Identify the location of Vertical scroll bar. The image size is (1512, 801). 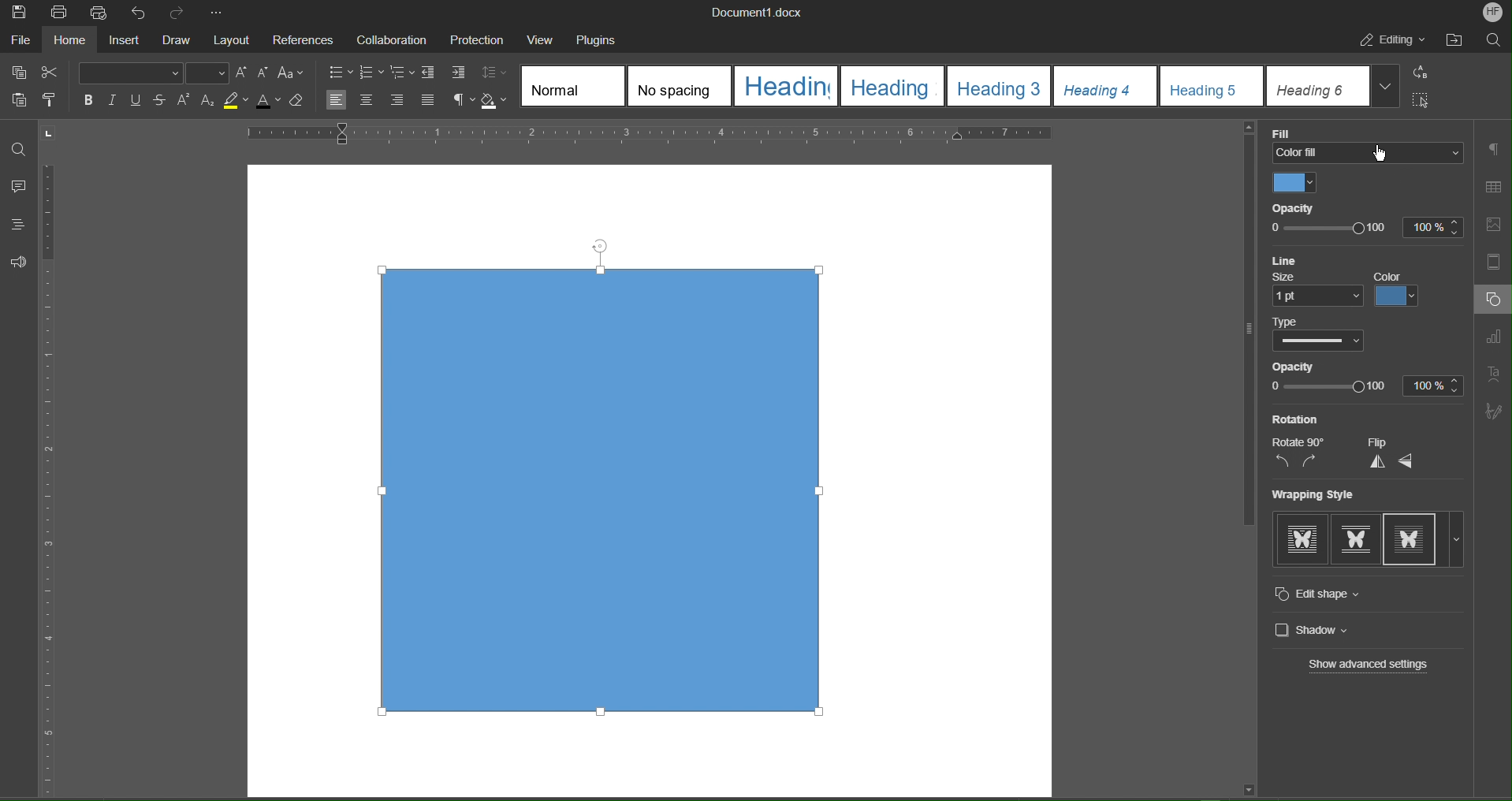
(1240, 343).